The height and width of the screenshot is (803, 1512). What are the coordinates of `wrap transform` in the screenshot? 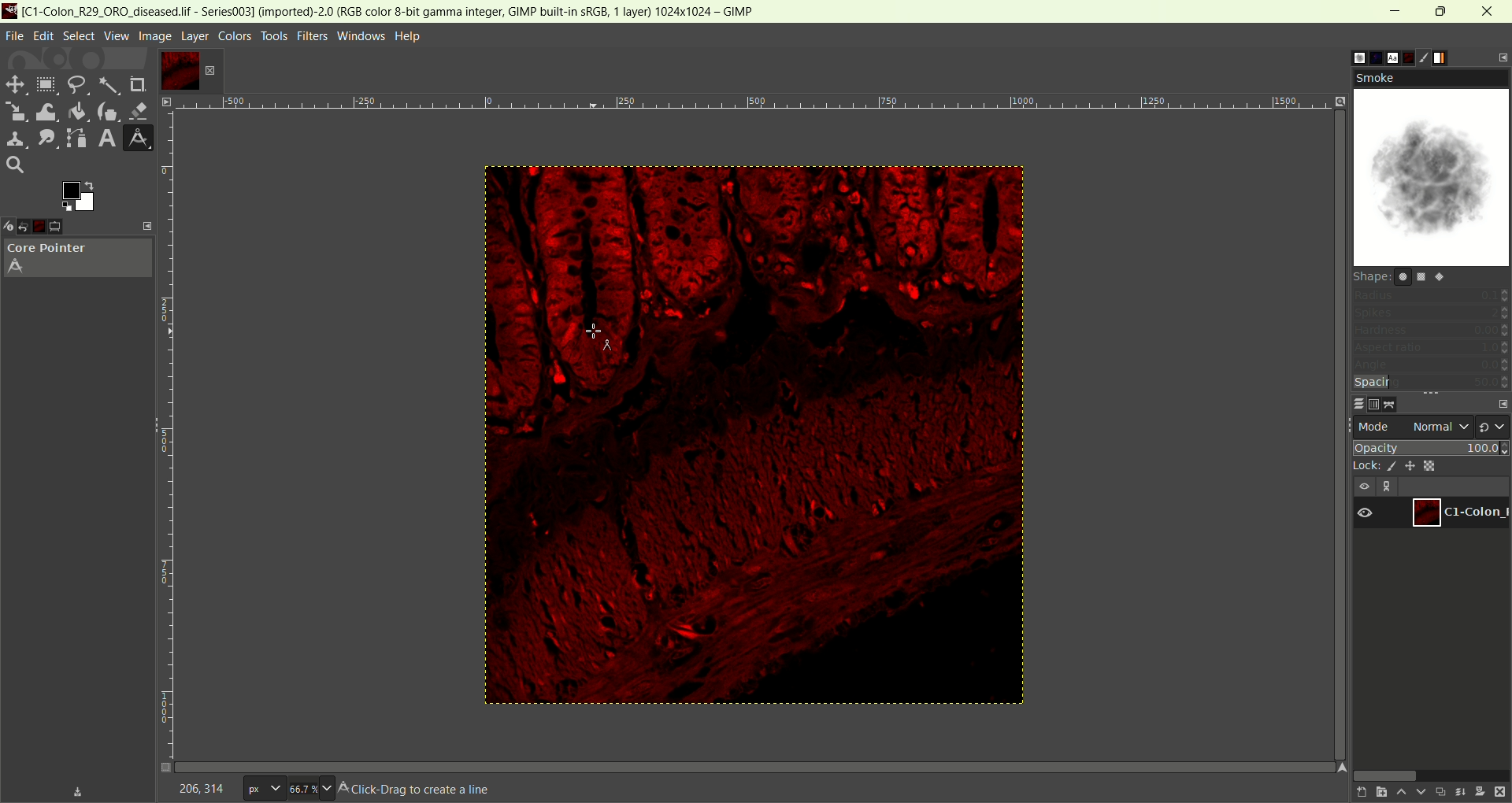 It's located at (43, 111).